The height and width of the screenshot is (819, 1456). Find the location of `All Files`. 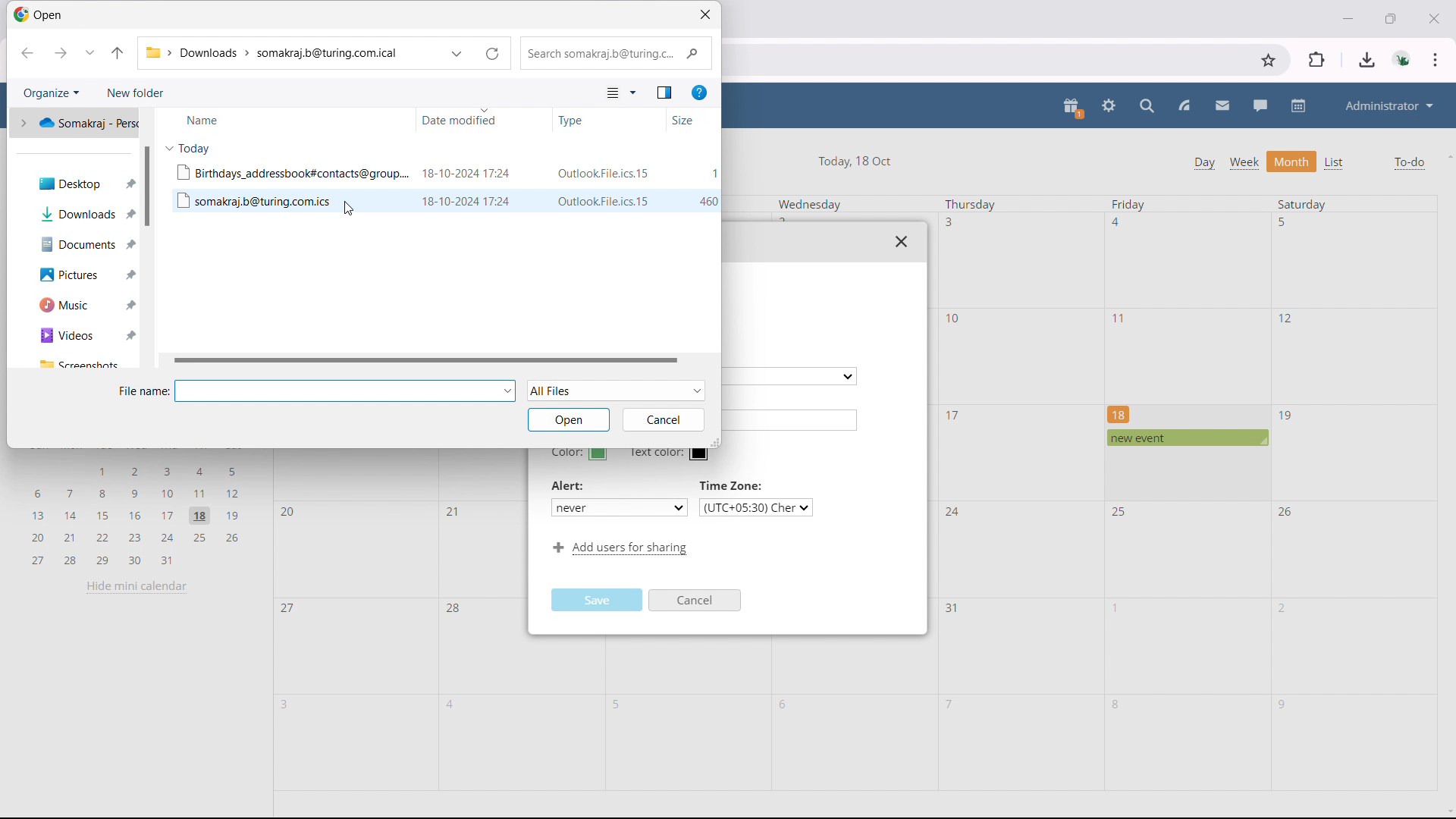

All Files is located at coordinates (617, 390).